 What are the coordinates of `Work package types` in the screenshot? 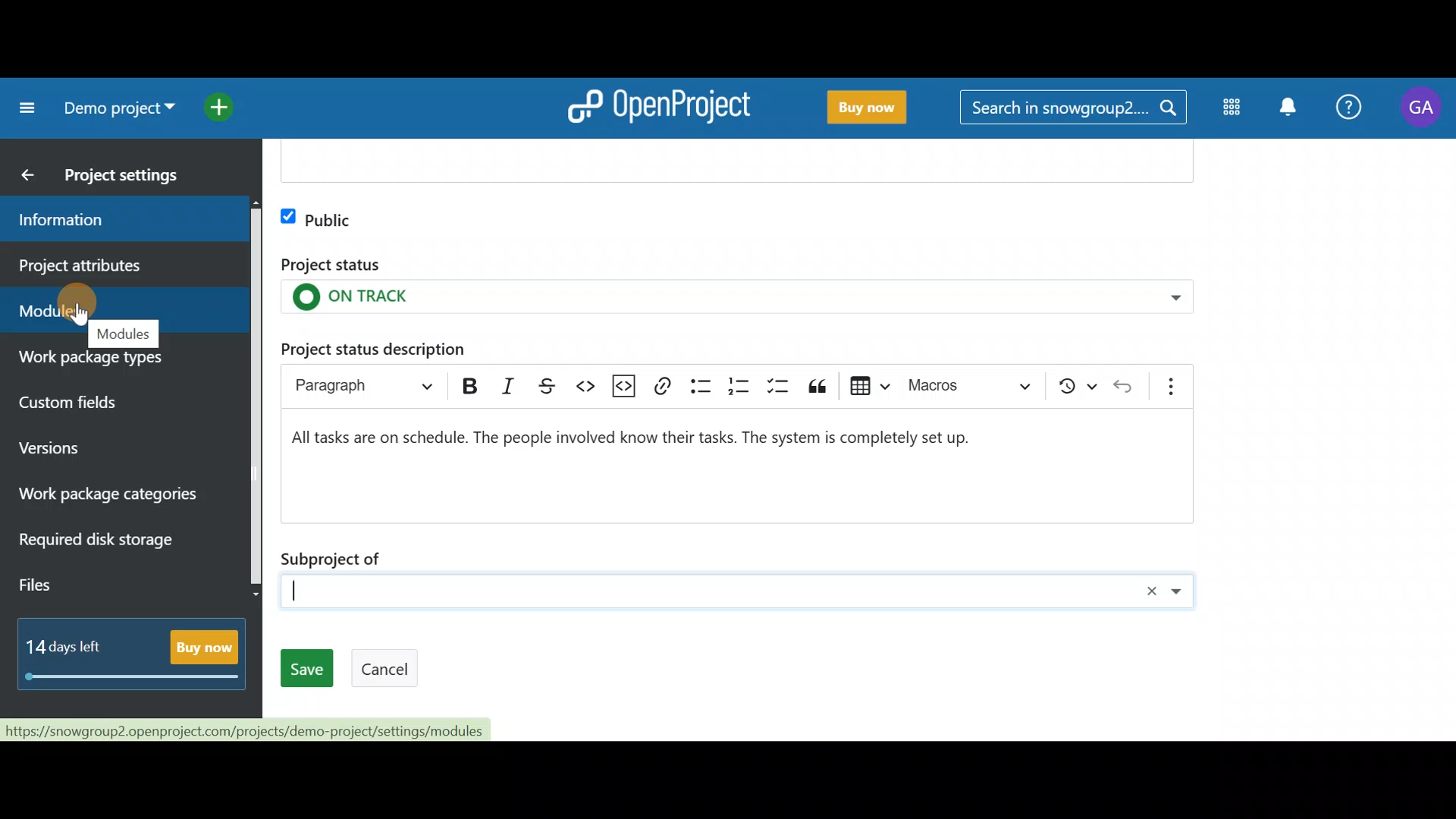 It's located at (117, 366).